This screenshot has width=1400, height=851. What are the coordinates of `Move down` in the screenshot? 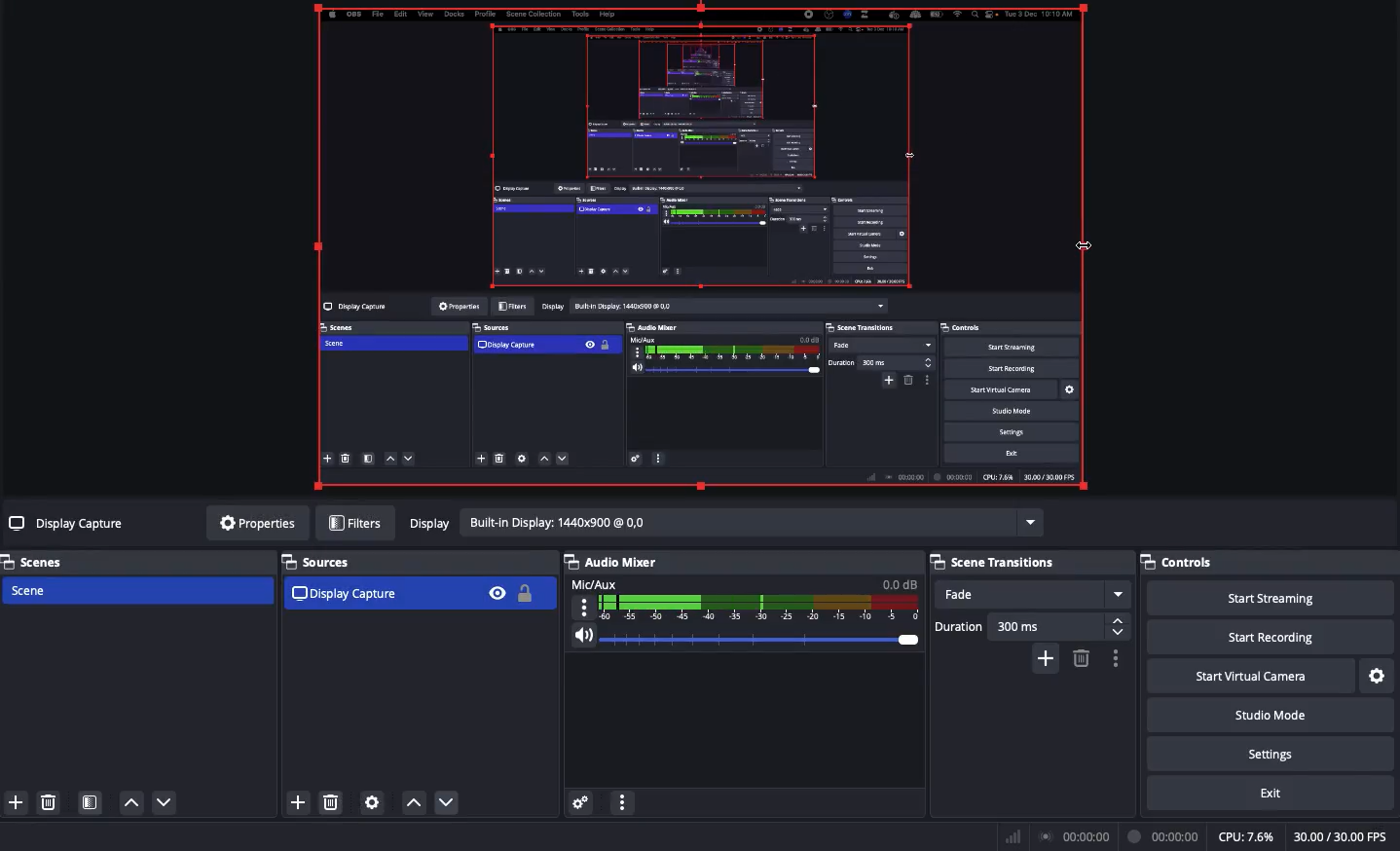 It's located at (166, 802).